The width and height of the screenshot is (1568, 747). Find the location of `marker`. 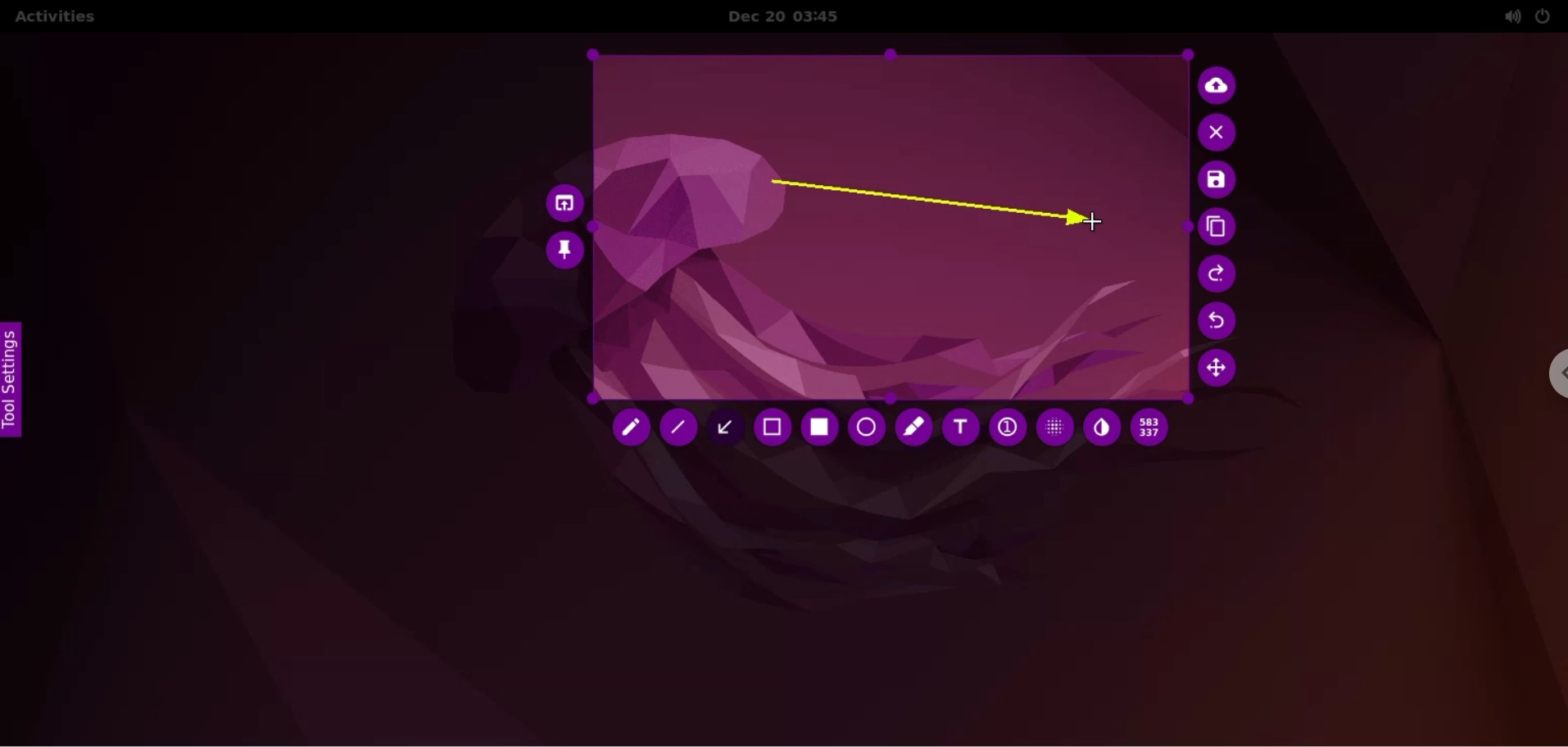

marker is located at coordinates (913, 427).